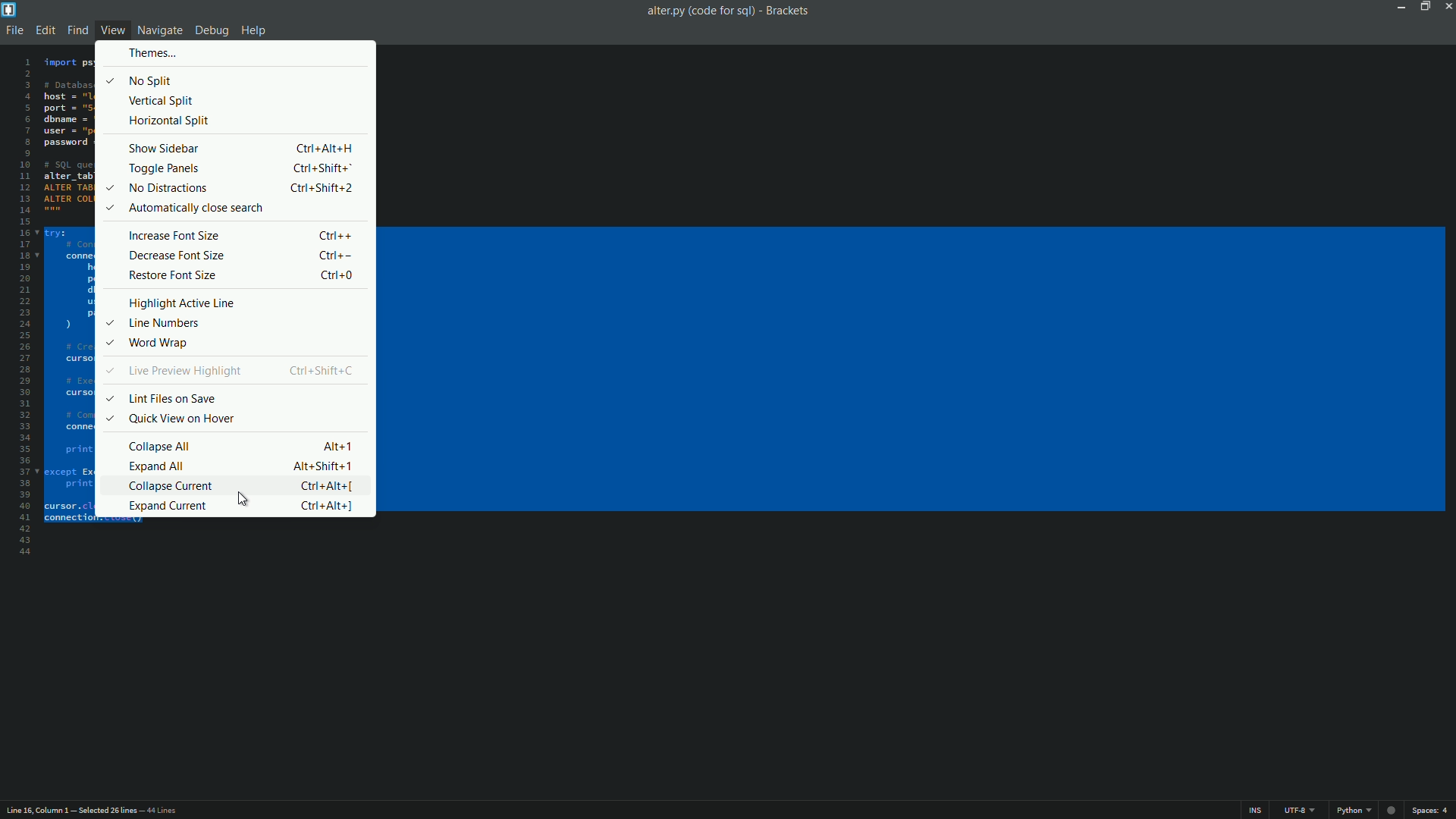  What do you see at coordinates (160, 446) in the screenshot?
I see `collapse all` at bounding box center [160, 446].